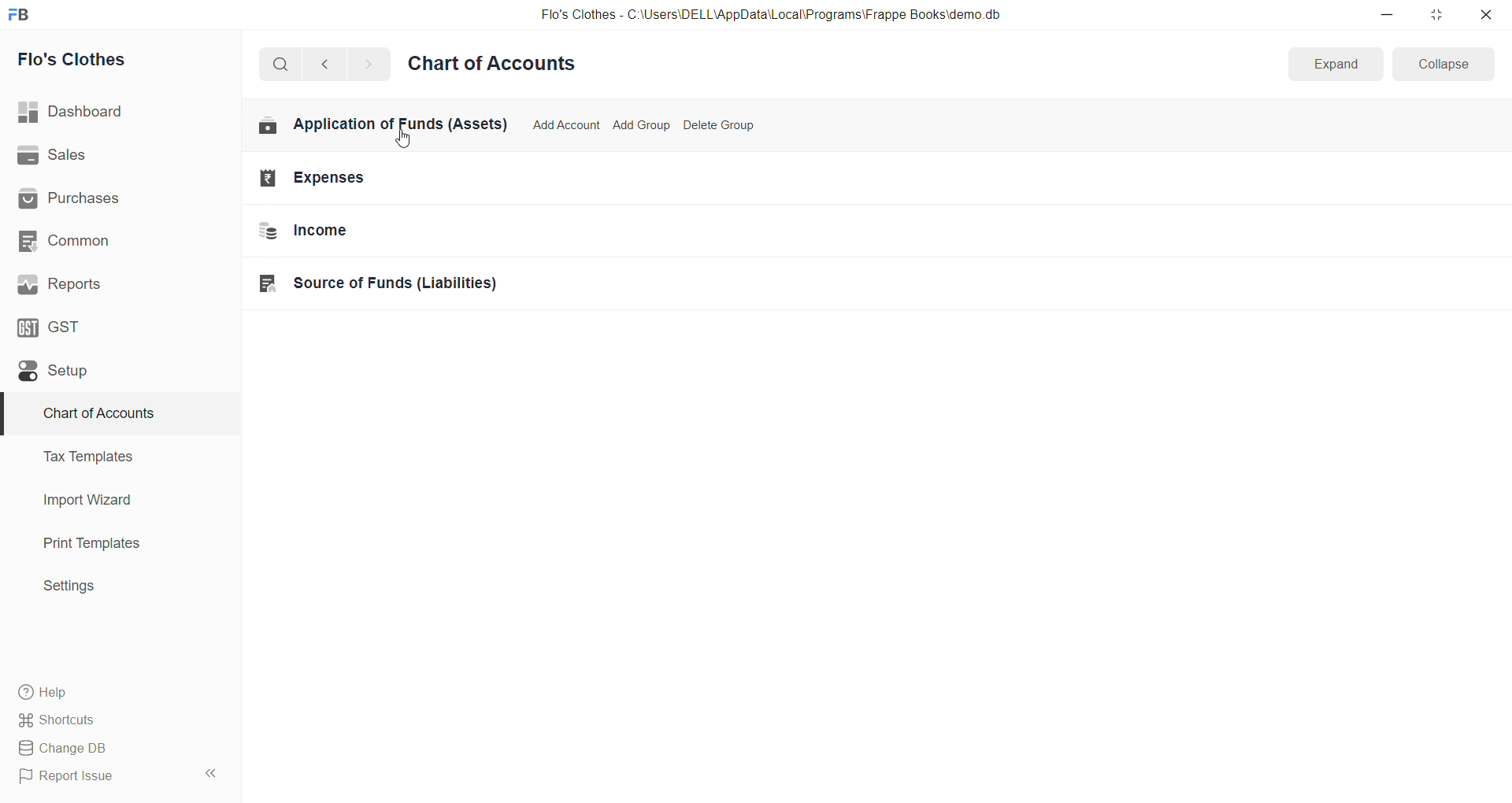 The image size is (1512, 803). I want to click on Help, so click(114, 691).